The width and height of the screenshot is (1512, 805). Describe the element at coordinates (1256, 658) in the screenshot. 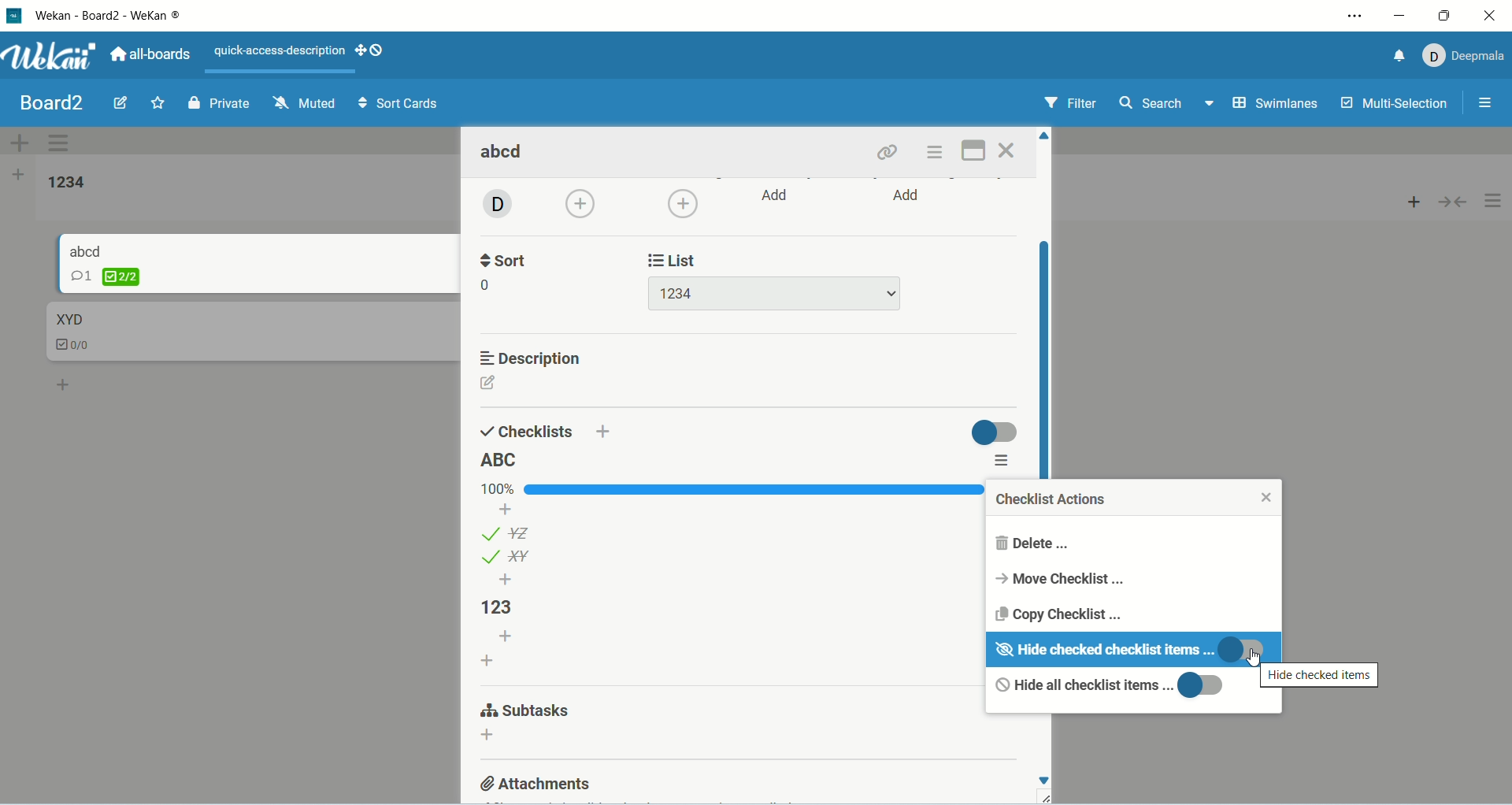

I see `cursor` at that location.